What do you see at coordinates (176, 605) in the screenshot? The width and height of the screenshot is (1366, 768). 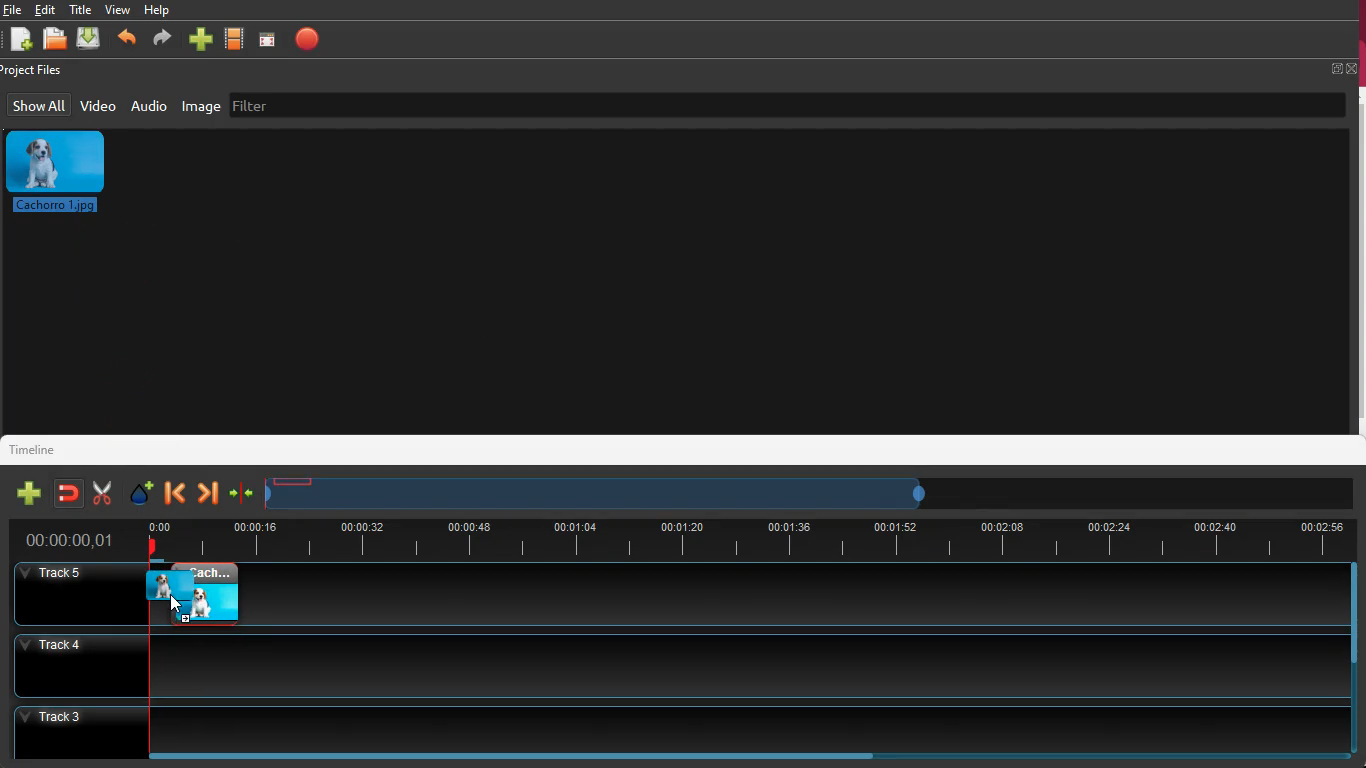 I see `cursor` at bounding box center [176, 605].